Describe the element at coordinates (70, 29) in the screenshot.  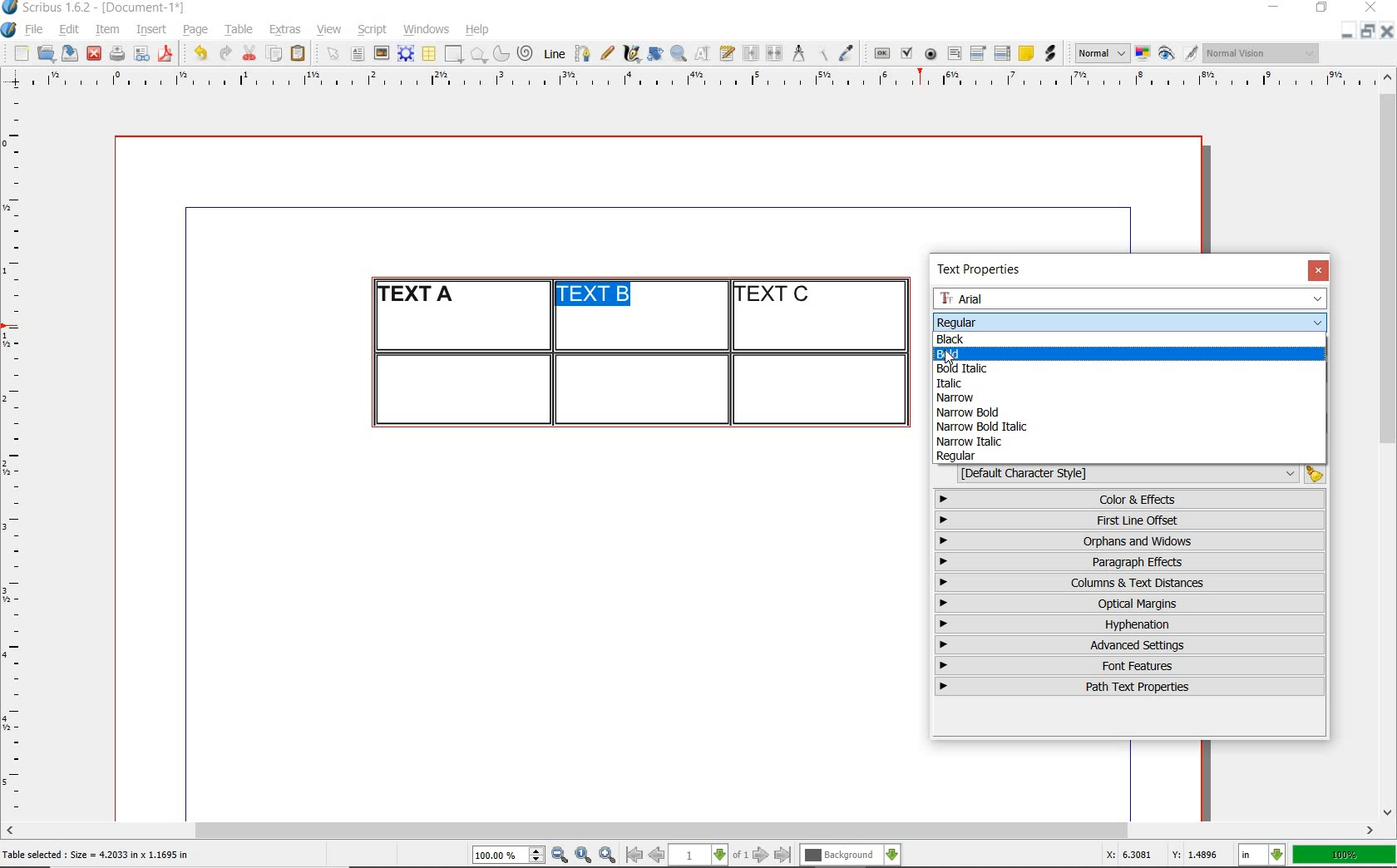
I see `edit` at that location.